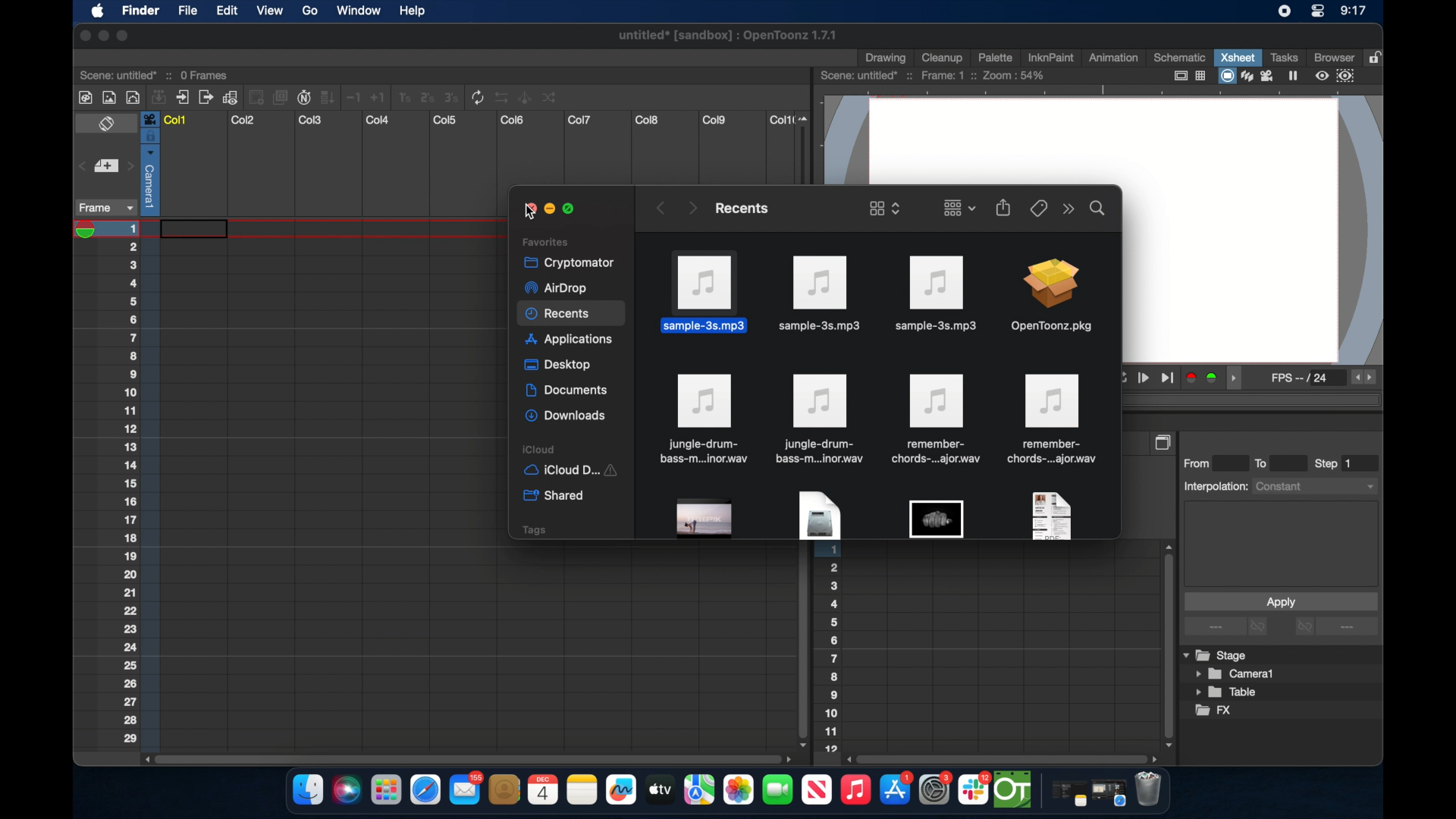 The width and height of the screenshot is (1456, 819). What do you see at coordinates (1332, 56) in the screenshot?
I see `browser` at bounding box center [1332, 56].